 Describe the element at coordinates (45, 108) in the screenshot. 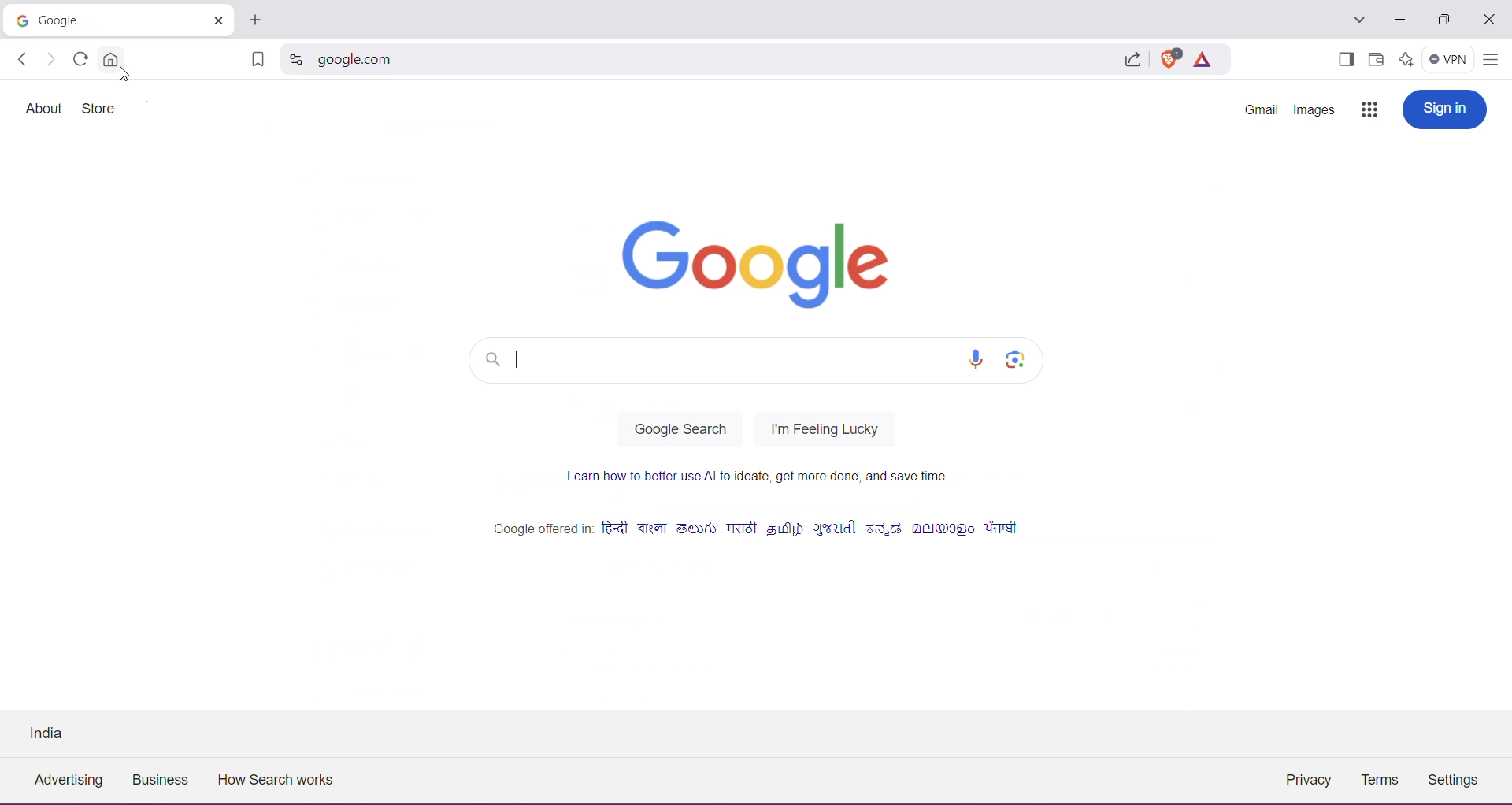

I see `About` at that location.